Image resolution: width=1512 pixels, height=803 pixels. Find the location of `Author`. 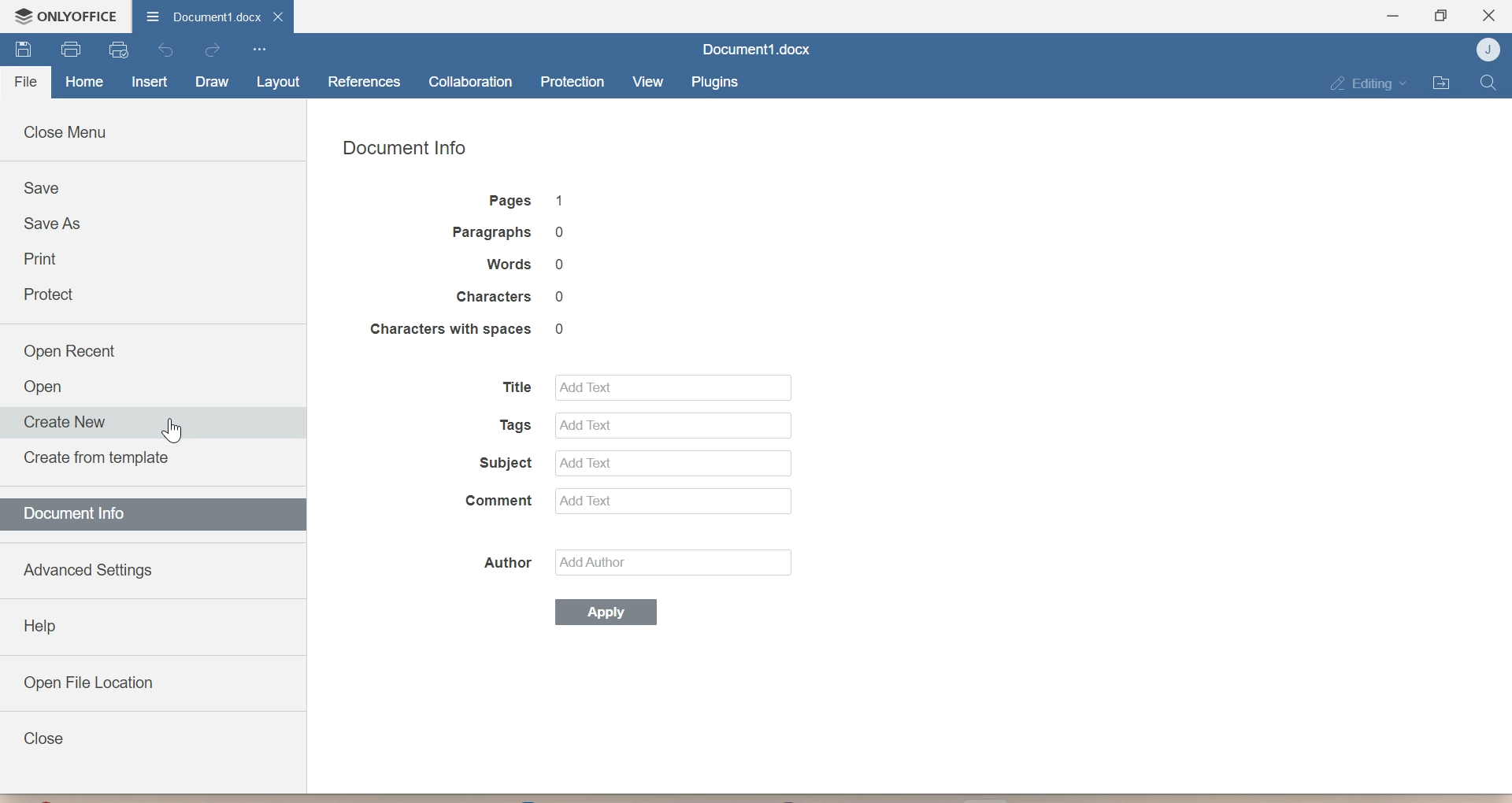

Author is located at coordinates (510, 561).